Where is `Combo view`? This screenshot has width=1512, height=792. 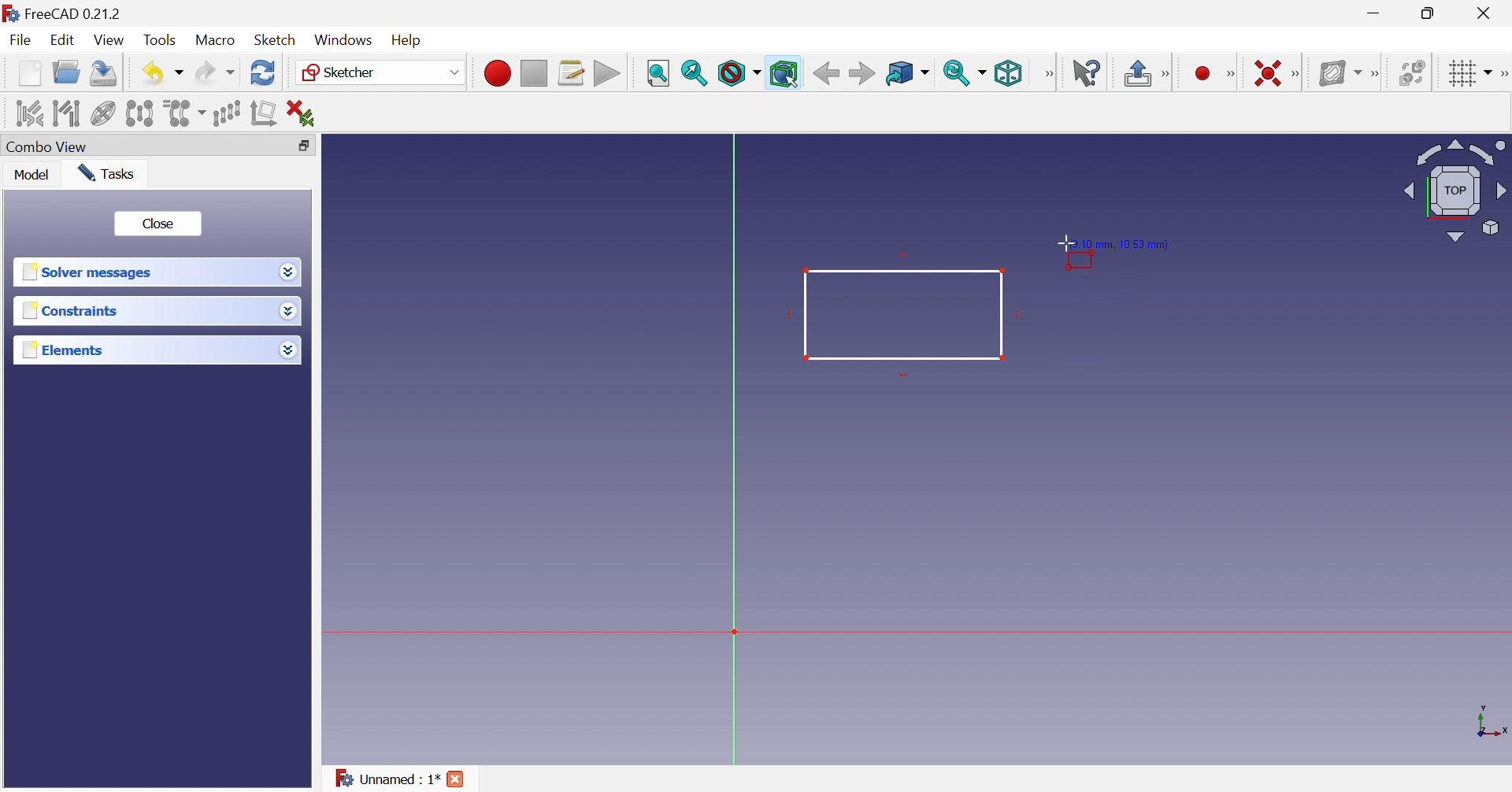
Combo view is located at coordinates (45, 147).